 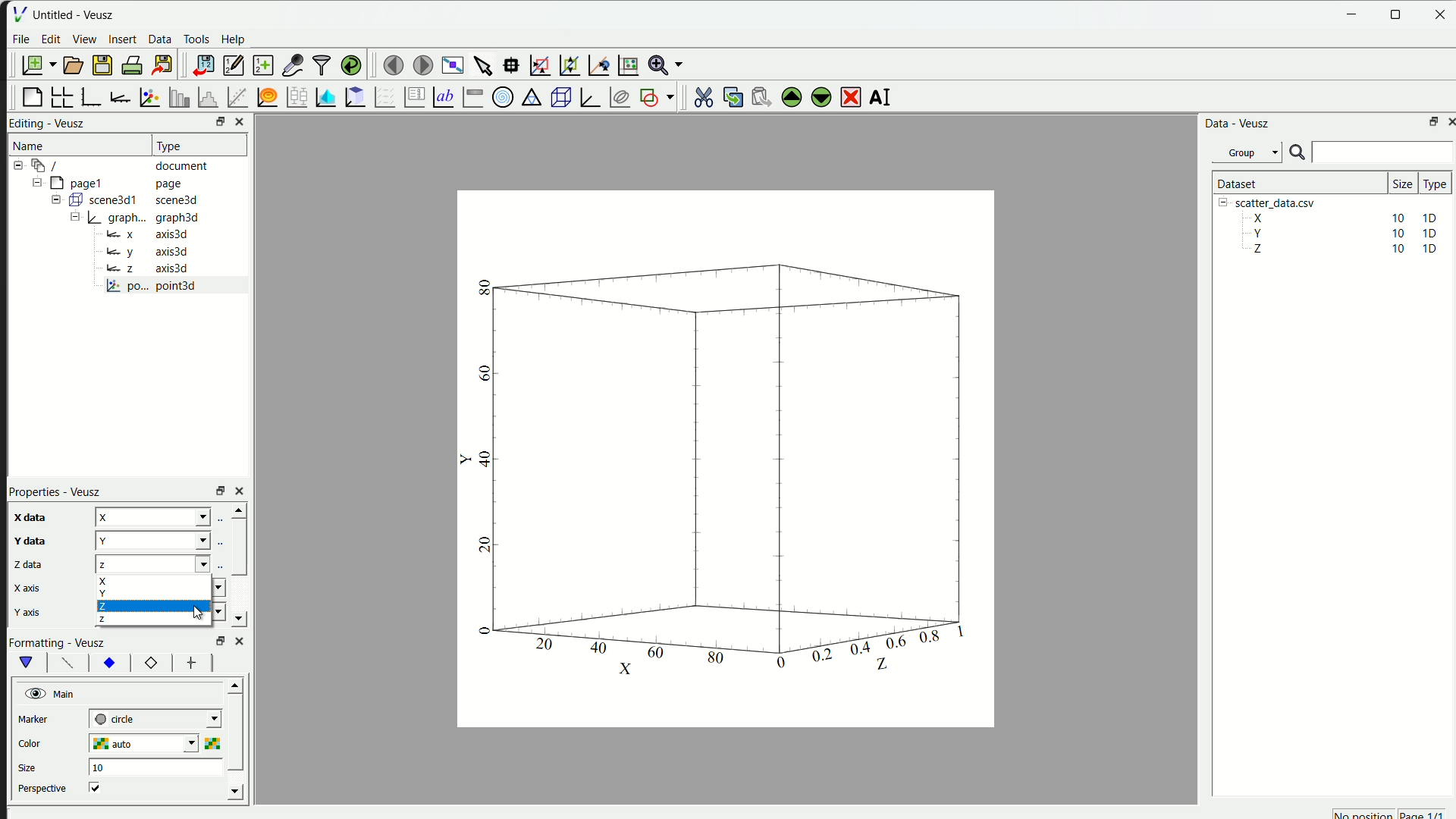 What do you see at coordinates (146, 663) in the screenshot?
I see `12` at bounding box center [146, 663].